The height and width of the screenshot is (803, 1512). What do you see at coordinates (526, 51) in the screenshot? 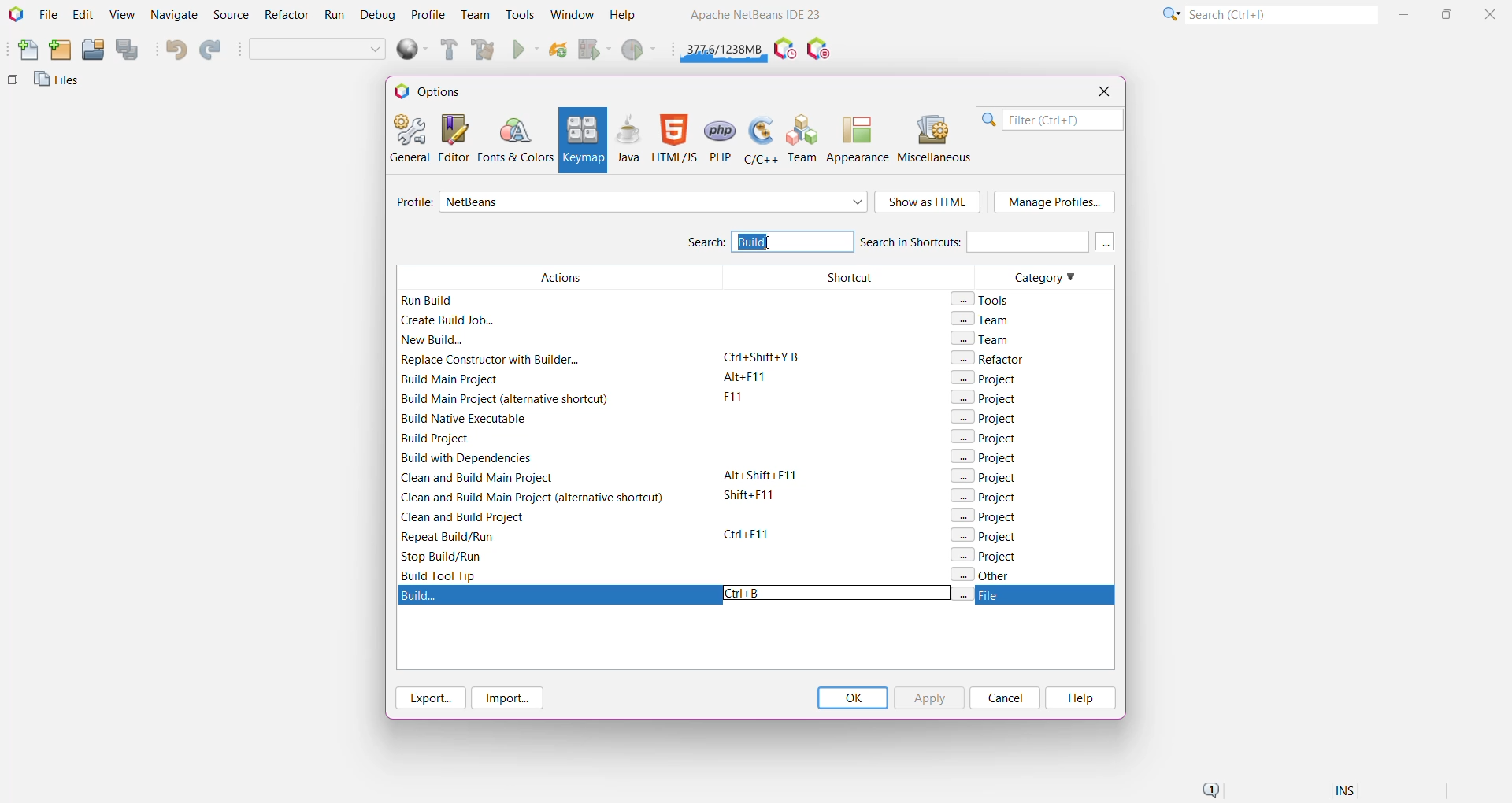
I see `Run` at bounding box center [526, 51].